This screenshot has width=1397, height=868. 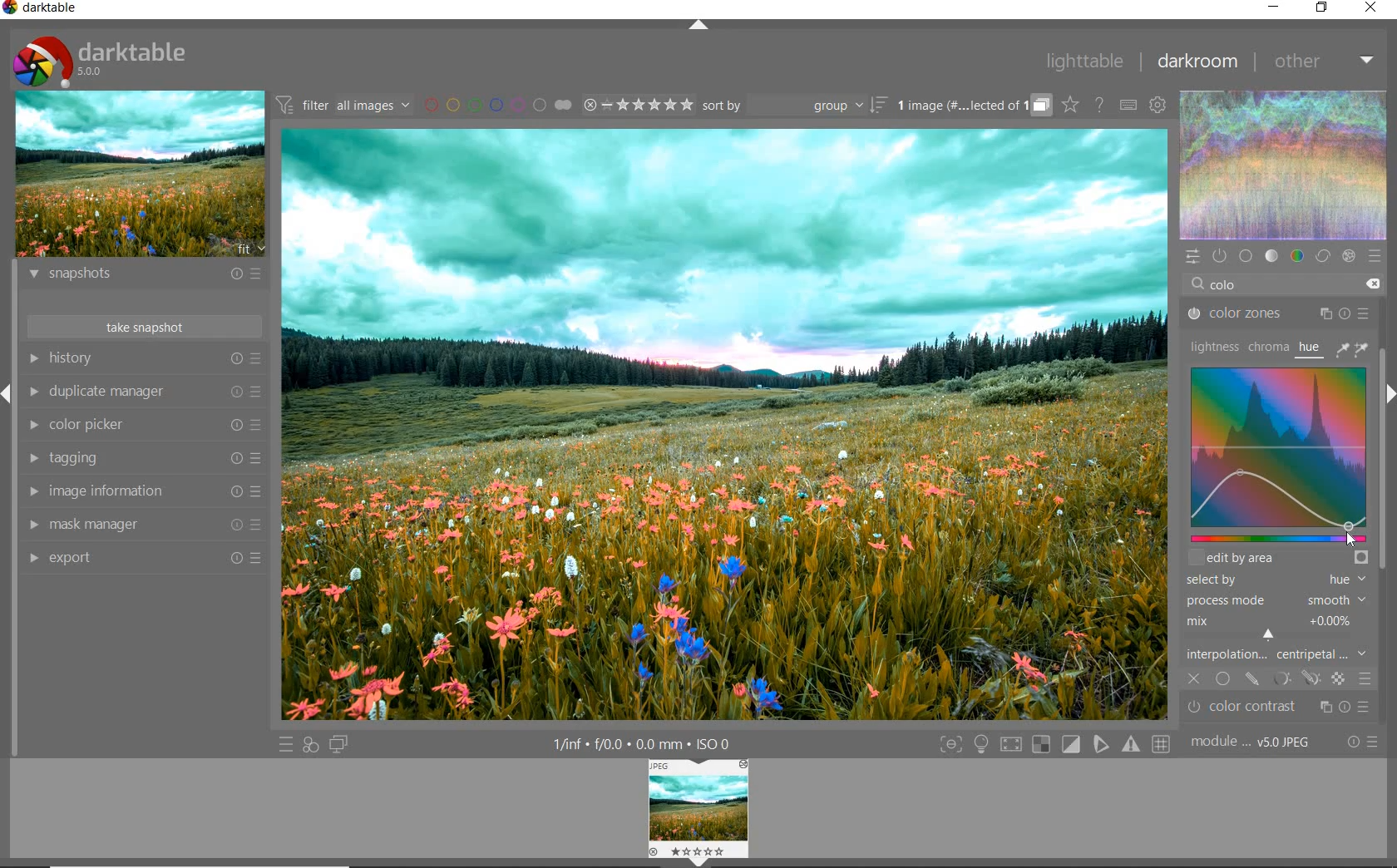 I want to click on display a second darkroom image window, so click(x=338, y=743).